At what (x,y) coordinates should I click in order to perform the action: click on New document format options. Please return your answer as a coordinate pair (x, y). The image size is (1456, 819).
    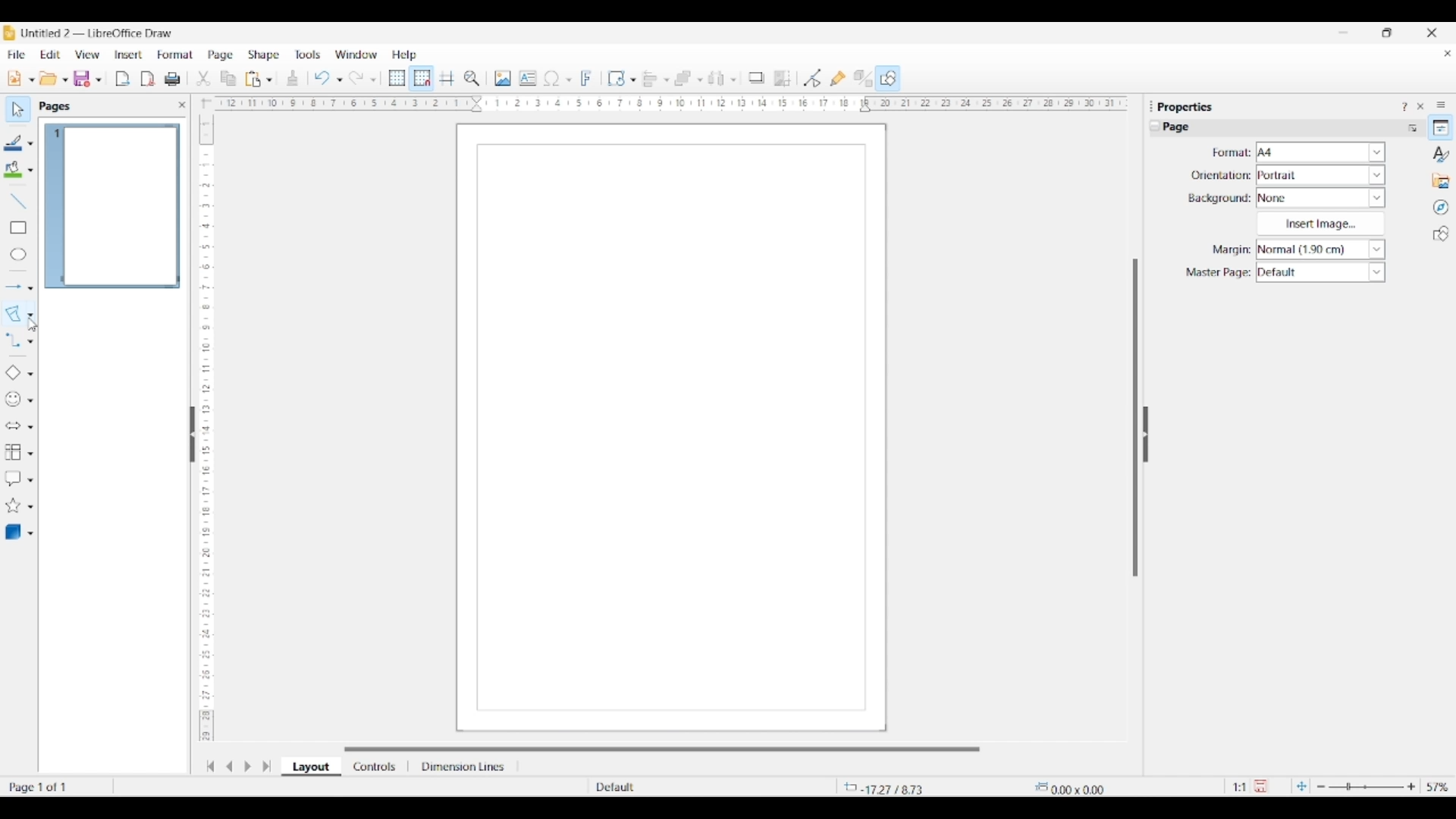
    Looking at the image, I should click on (32, 80).